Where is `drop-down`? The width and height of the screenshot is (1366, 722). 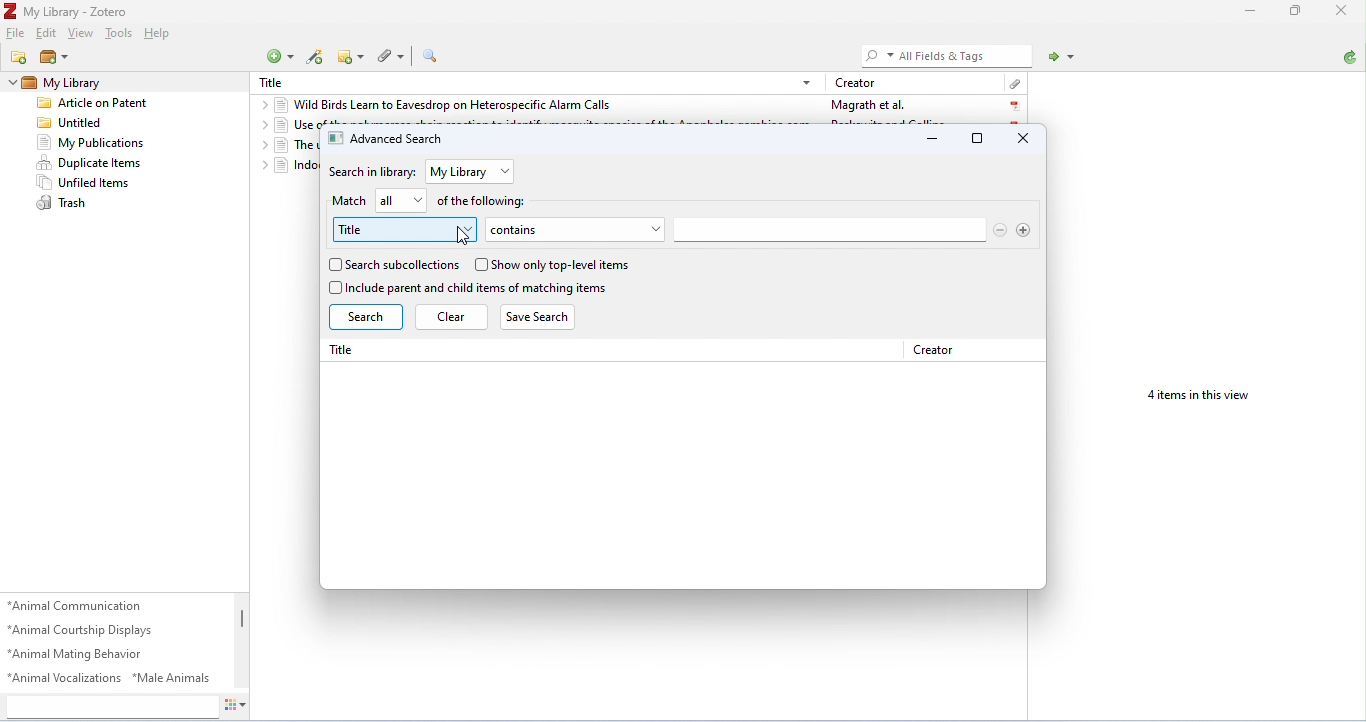 drop-down is located at coordinates (262, 126).